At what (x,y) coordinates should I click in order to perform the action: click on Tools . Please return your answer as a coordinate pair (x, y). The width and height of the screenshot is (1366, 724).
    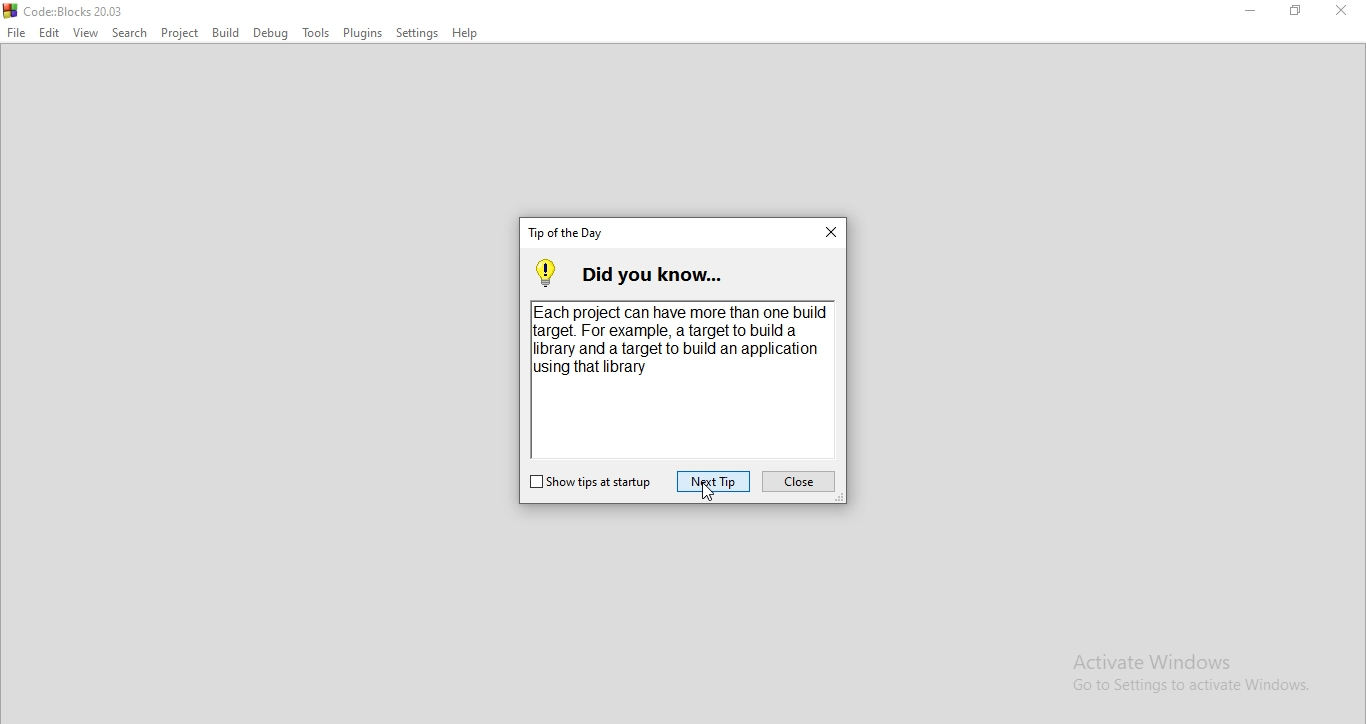
    Looking at the image, I should click on (316, 31).